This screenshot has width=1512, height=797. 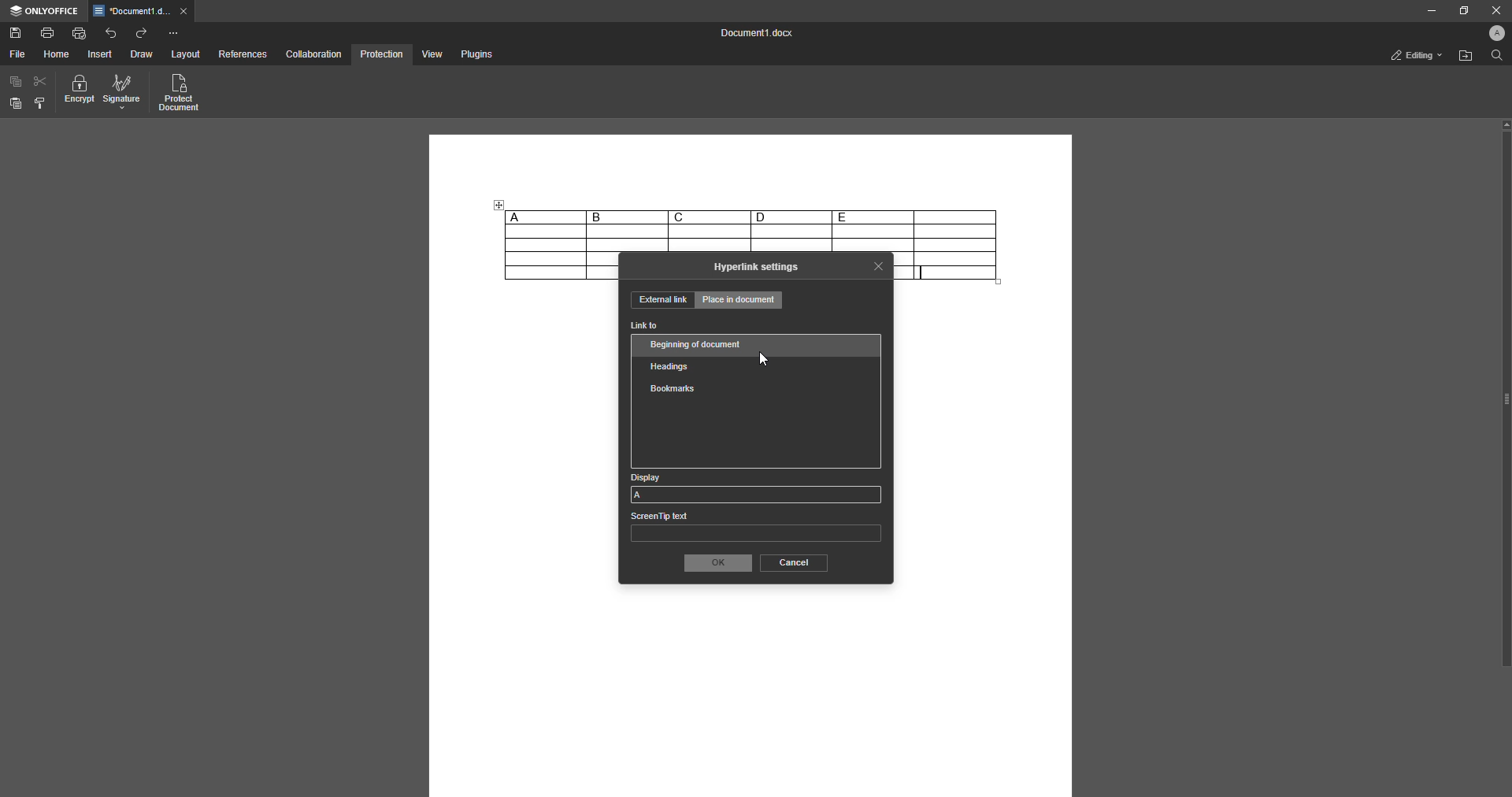 I want to click on Paste, so click(x=16, y=104).